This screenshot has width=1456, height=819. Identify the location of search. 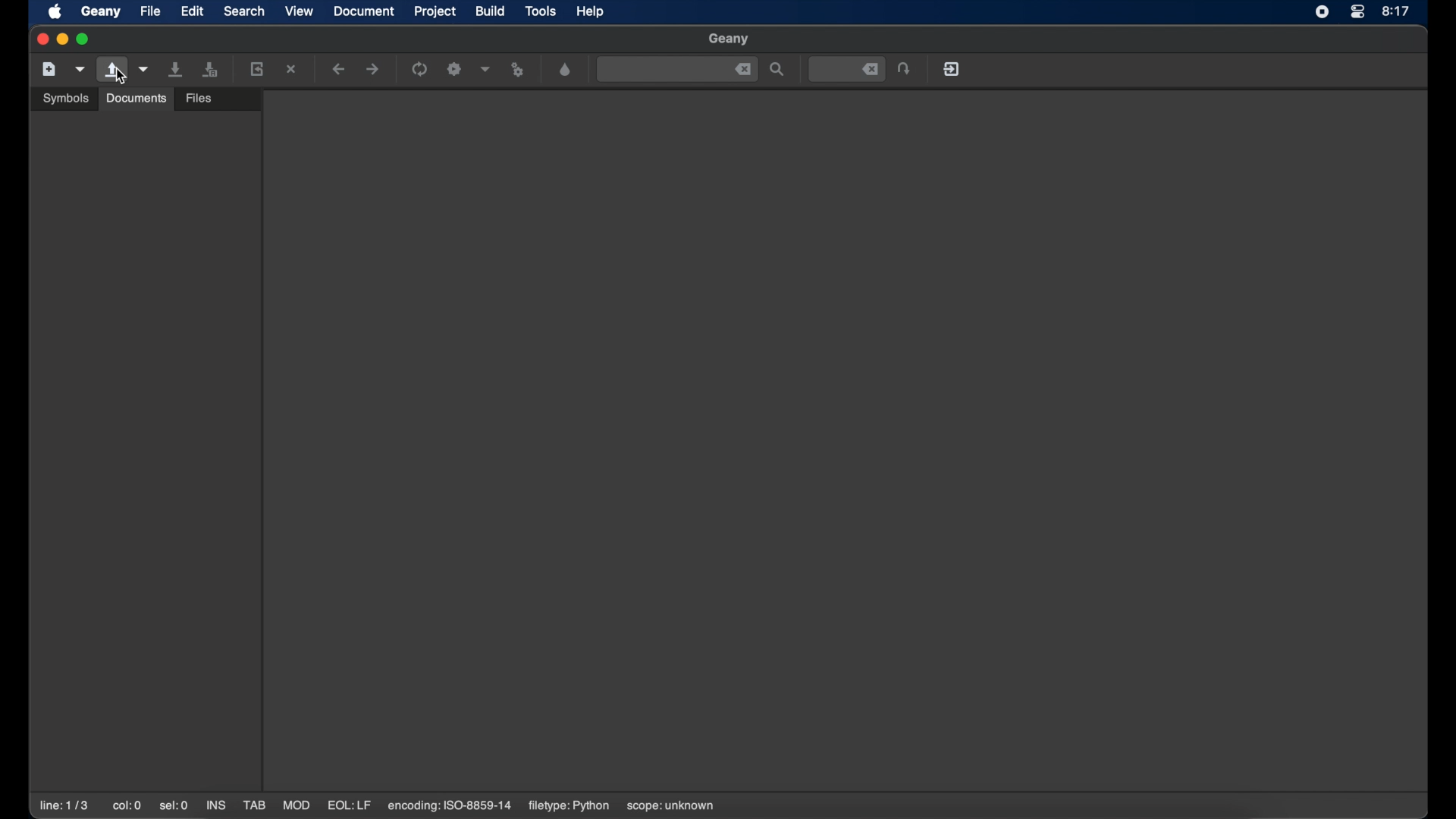
(244, 11).